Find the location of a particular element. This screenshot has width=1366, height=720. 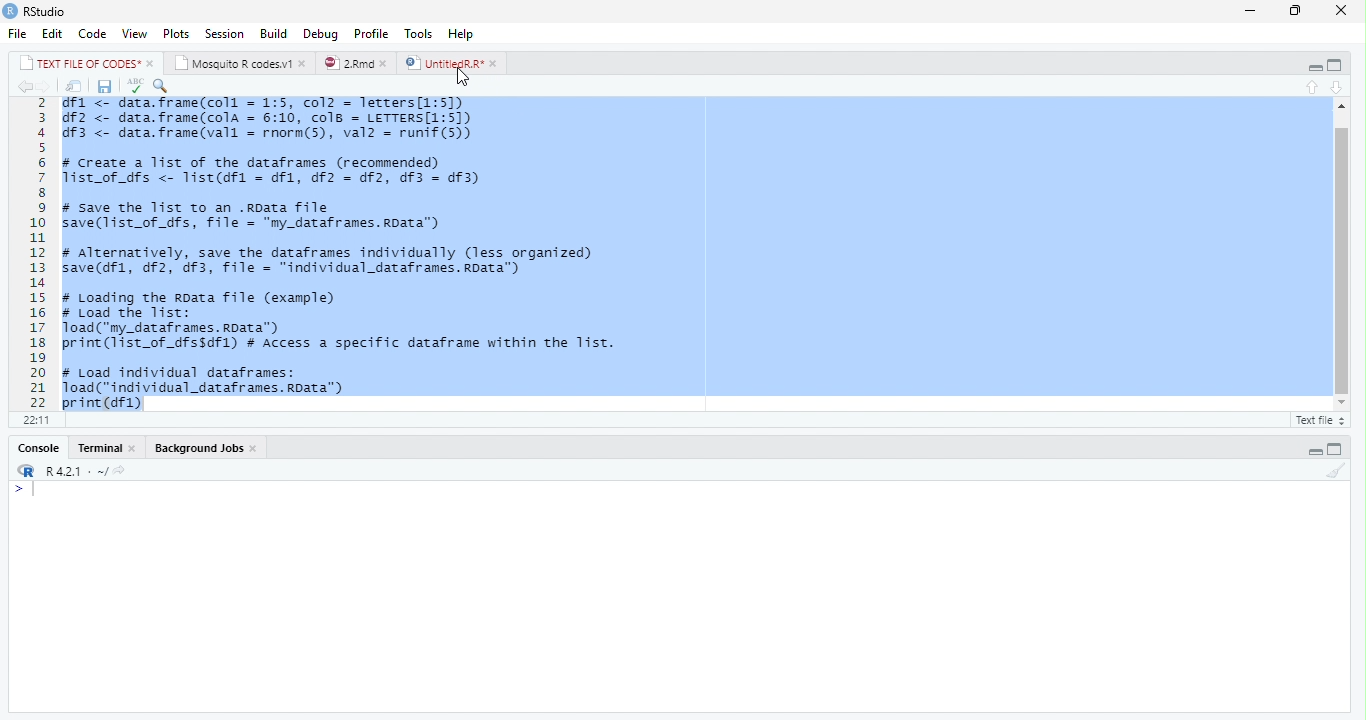

Profile is located at coordinates (372, 33).